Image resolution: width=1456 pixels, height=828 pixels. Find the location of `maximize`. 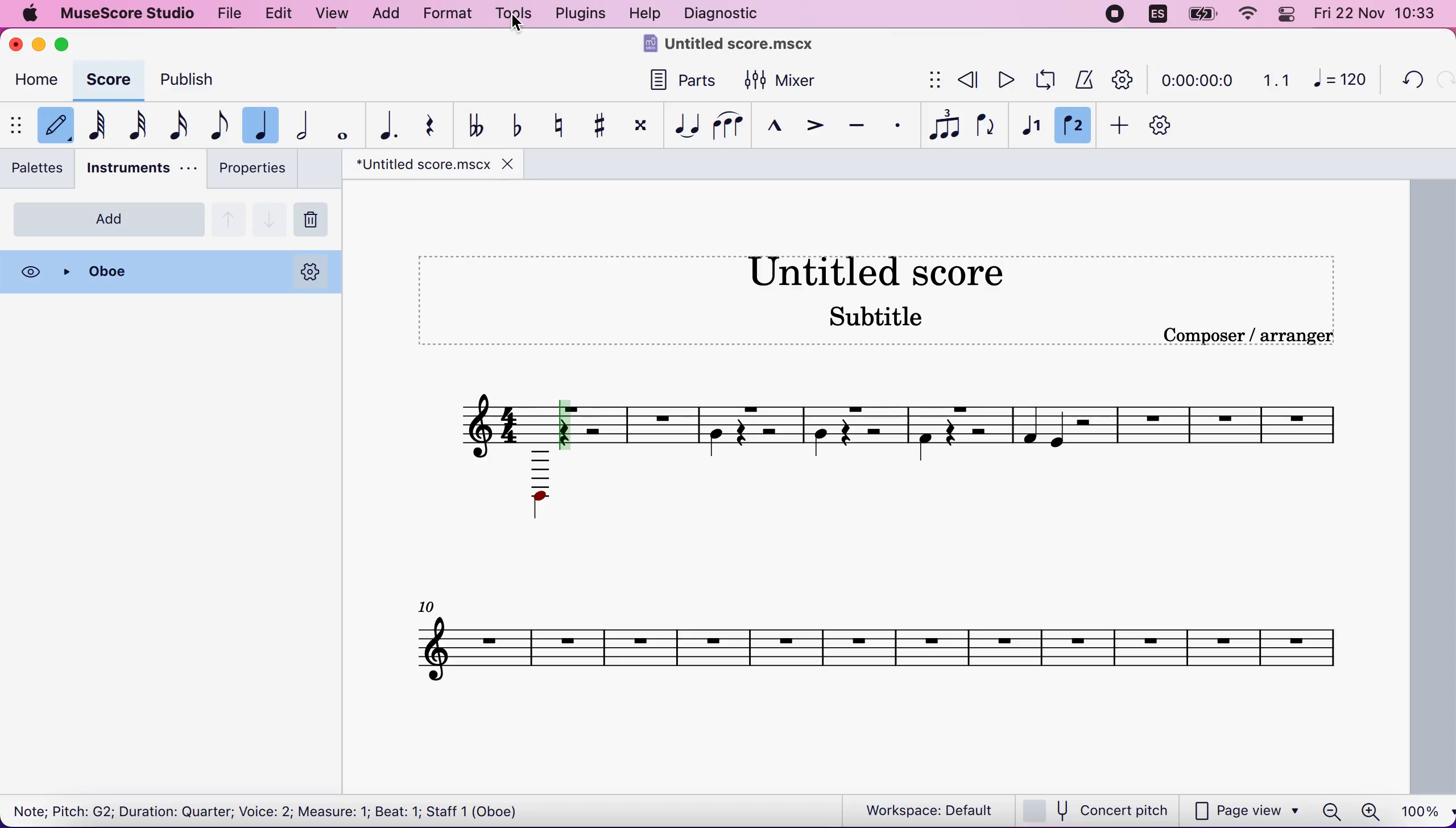

maximize is located at coordinates (67, 43).